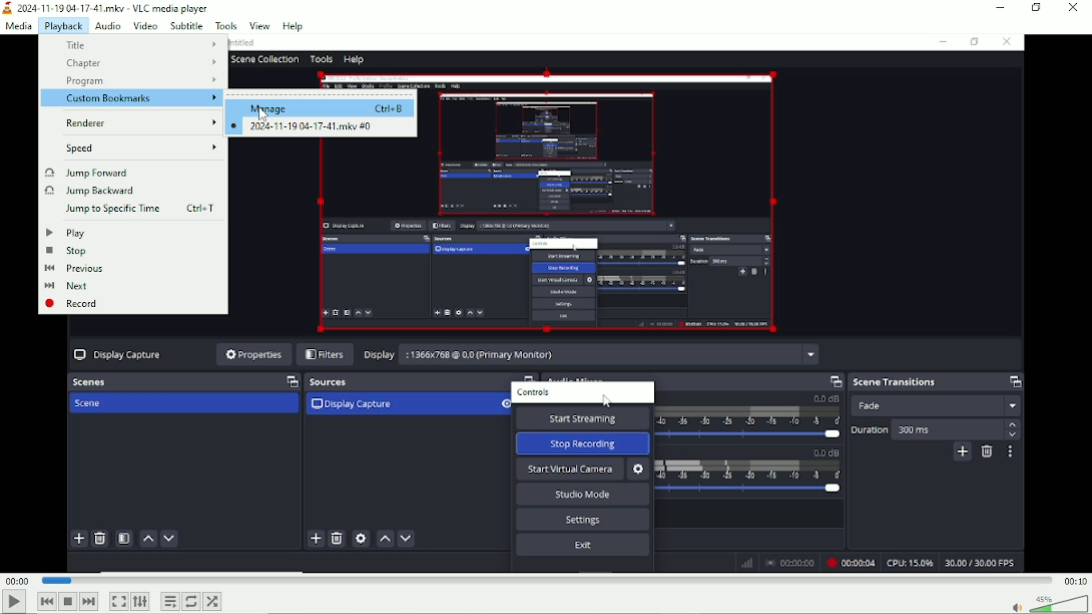  What do you see at coordinates (67, 601) in the screenshot?
I see `Stop playlist` at bounding box center [67, 601].